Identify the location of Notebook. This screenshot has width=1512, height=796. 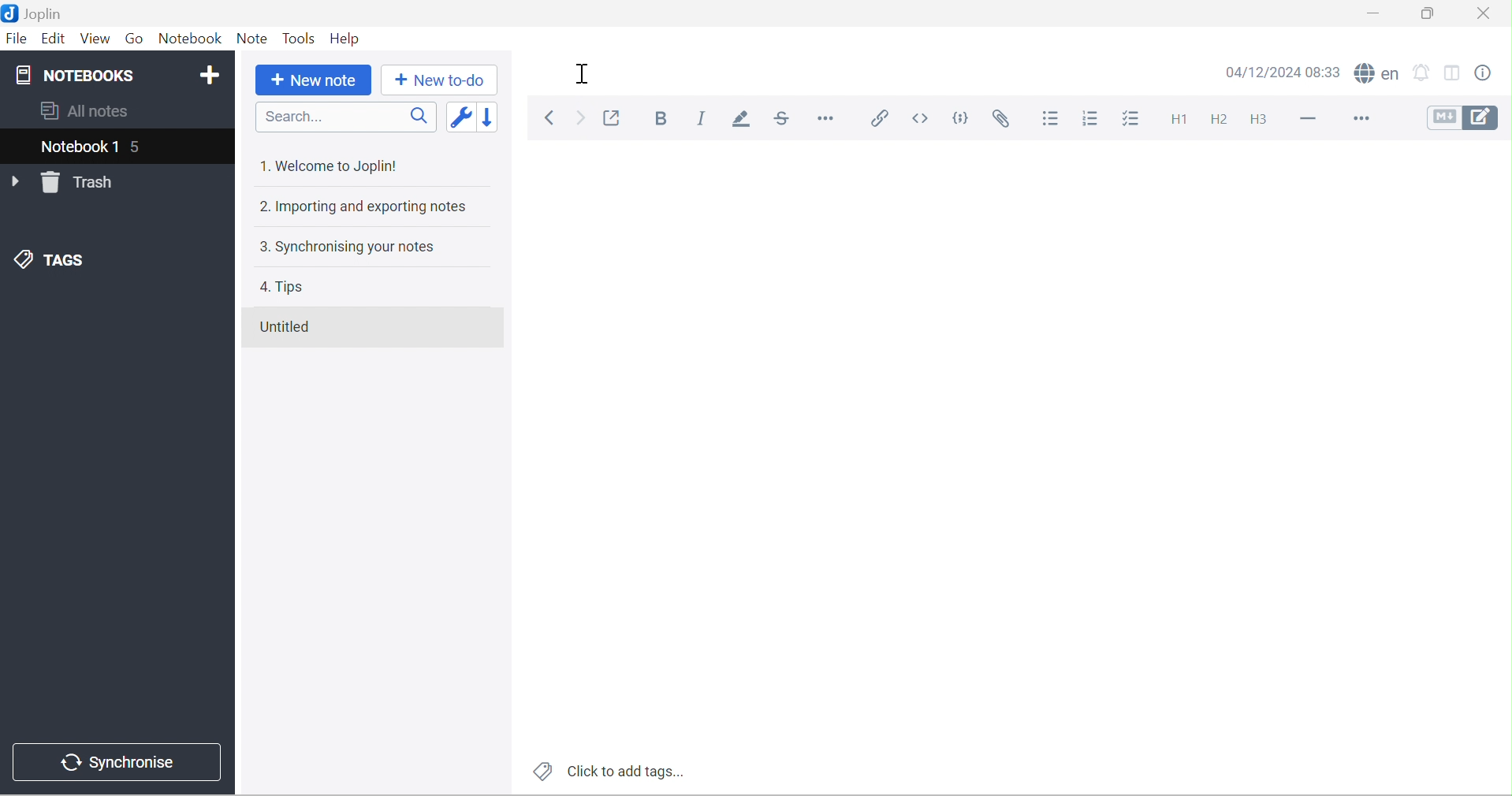
(191, 38).